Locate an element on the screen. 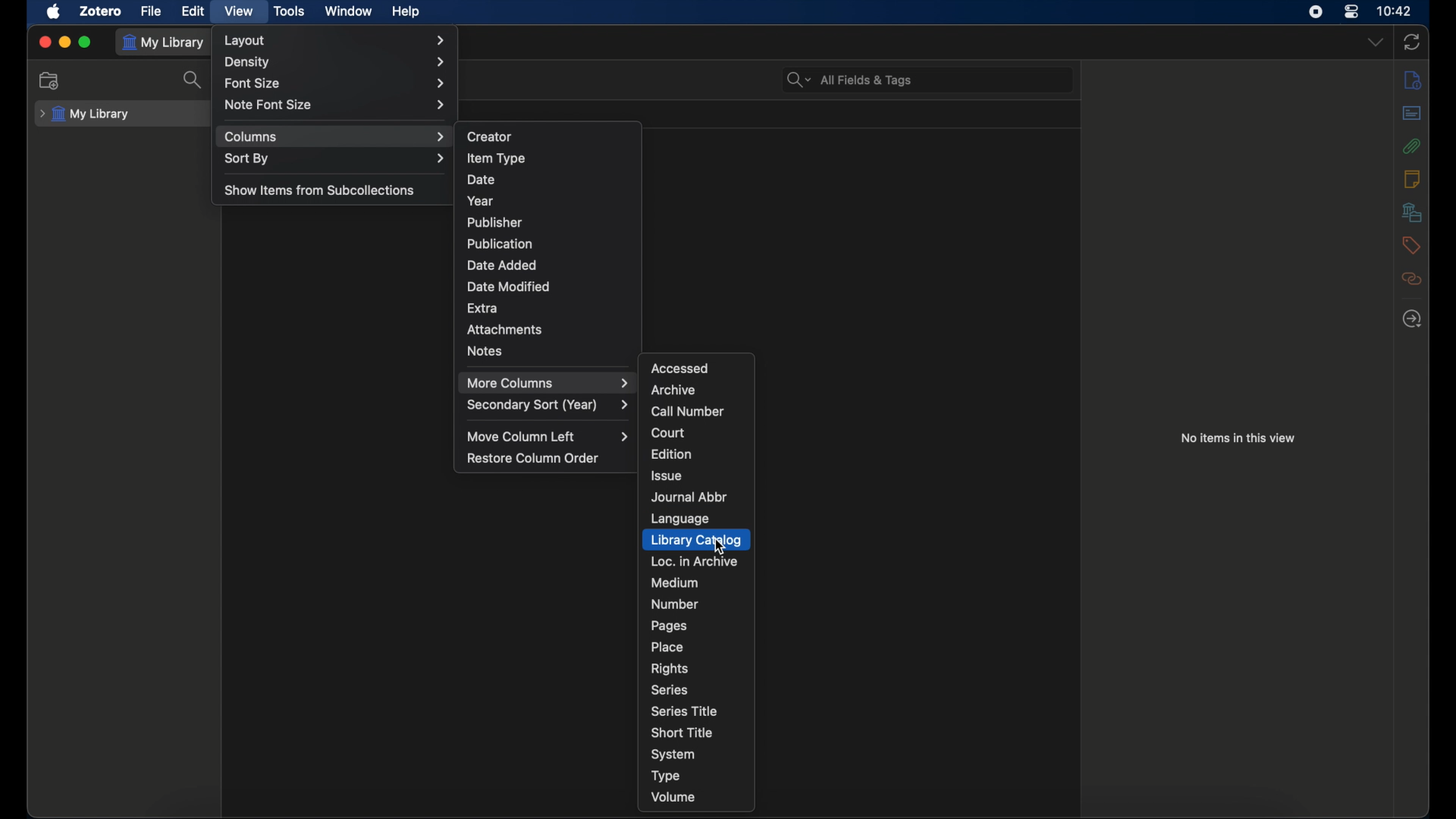 The width and height of the screenshot is (1456, 819). publication is located at coordinates (500, 243).